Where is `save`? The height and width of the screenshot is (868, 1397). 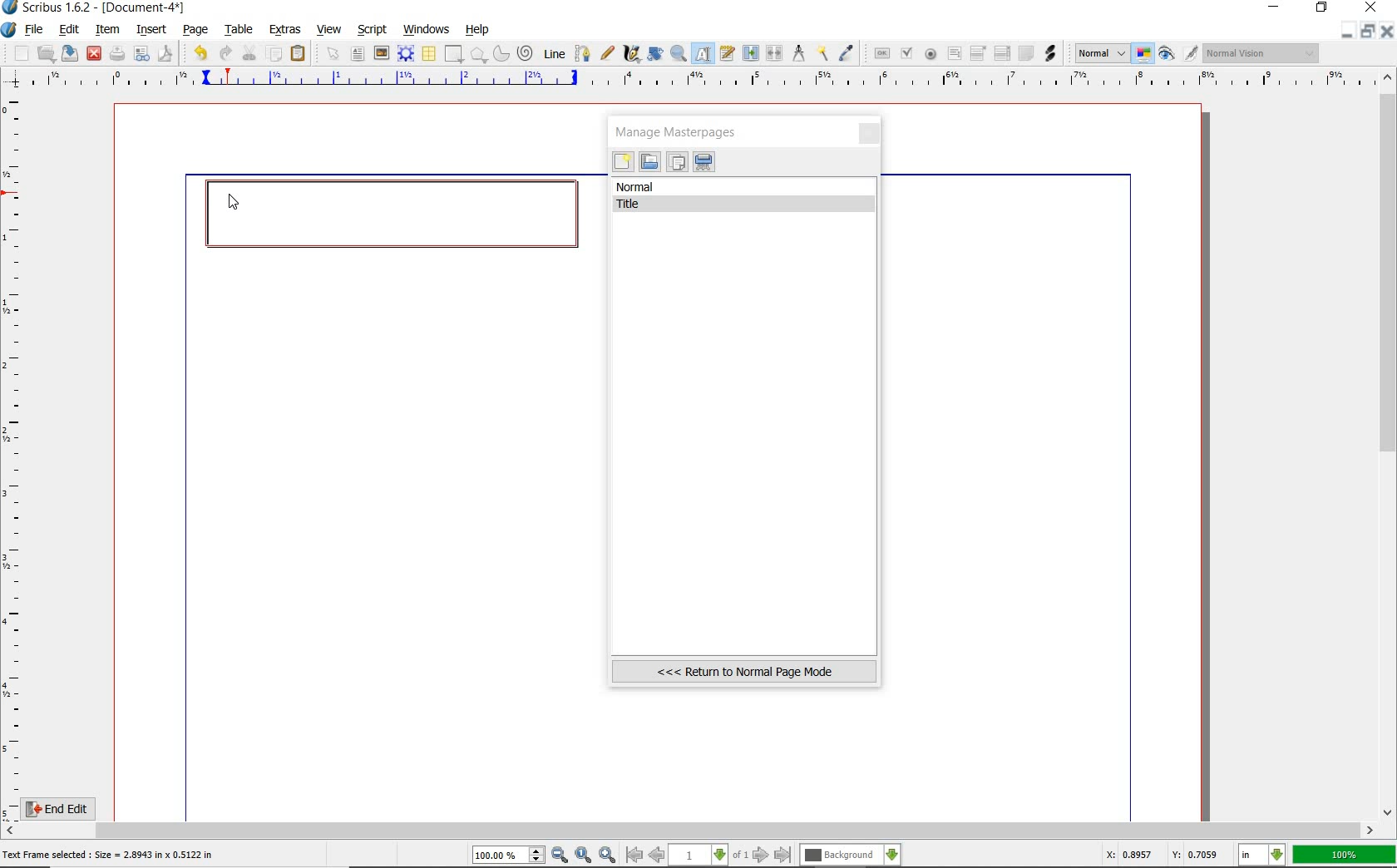
save is located at coordinates (71, 53).